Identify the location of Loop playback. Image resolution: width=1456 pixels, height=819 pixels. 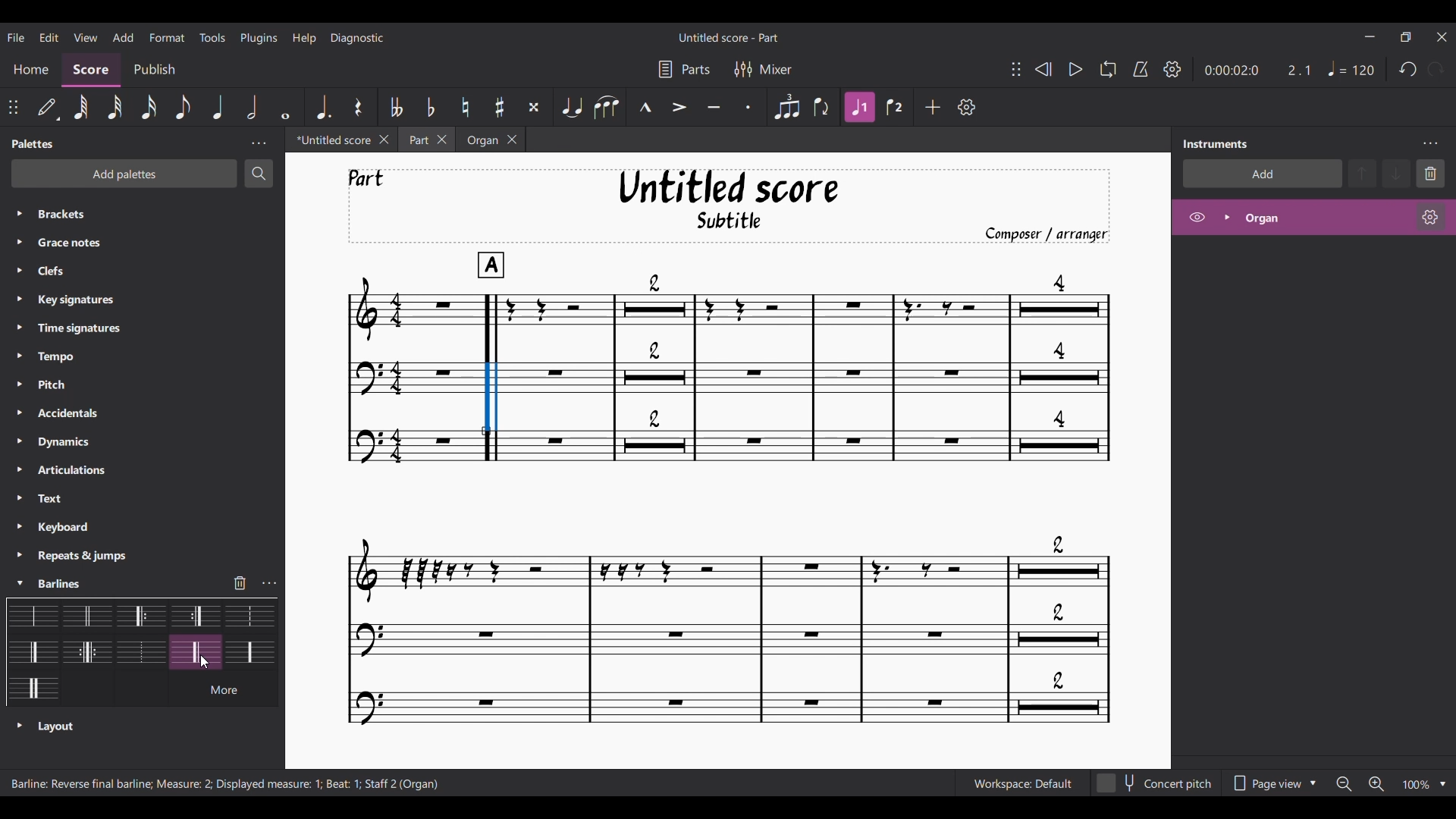
(1108, 69).